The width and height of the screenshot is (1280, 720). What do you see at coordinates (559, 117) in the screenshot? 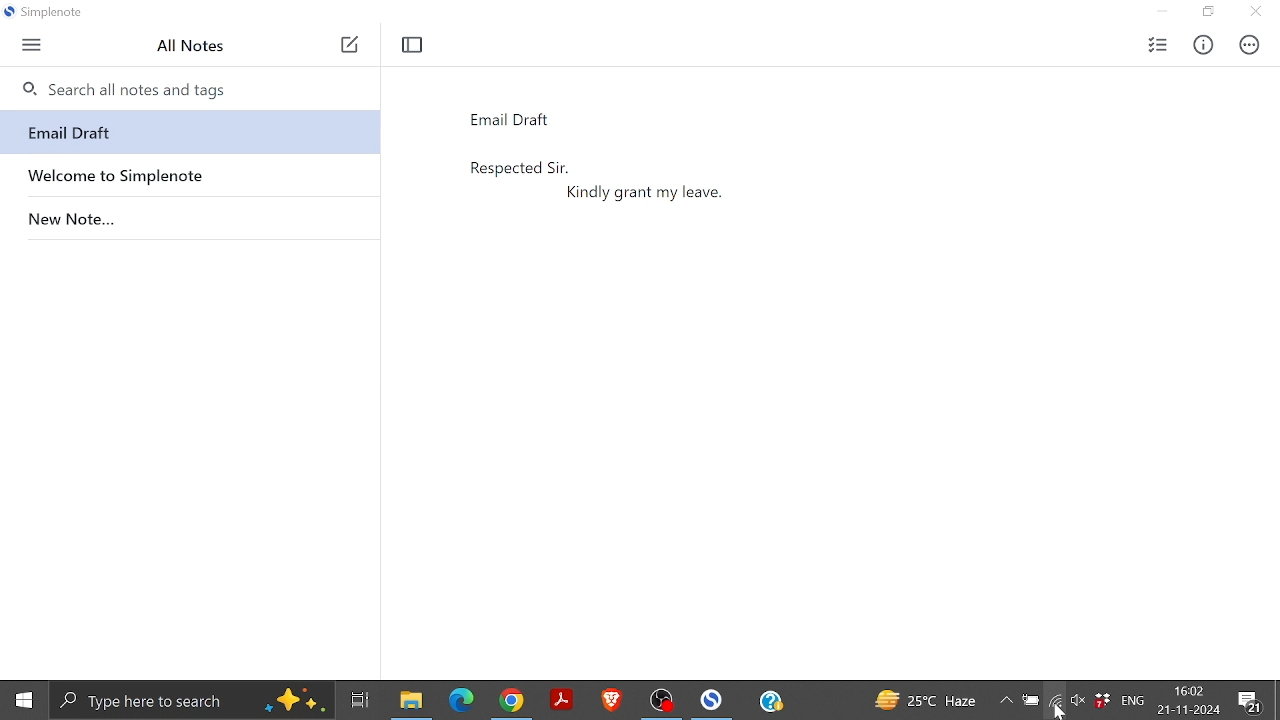
I see `Space for writing the title of the note` at bounding box center [559, 117].